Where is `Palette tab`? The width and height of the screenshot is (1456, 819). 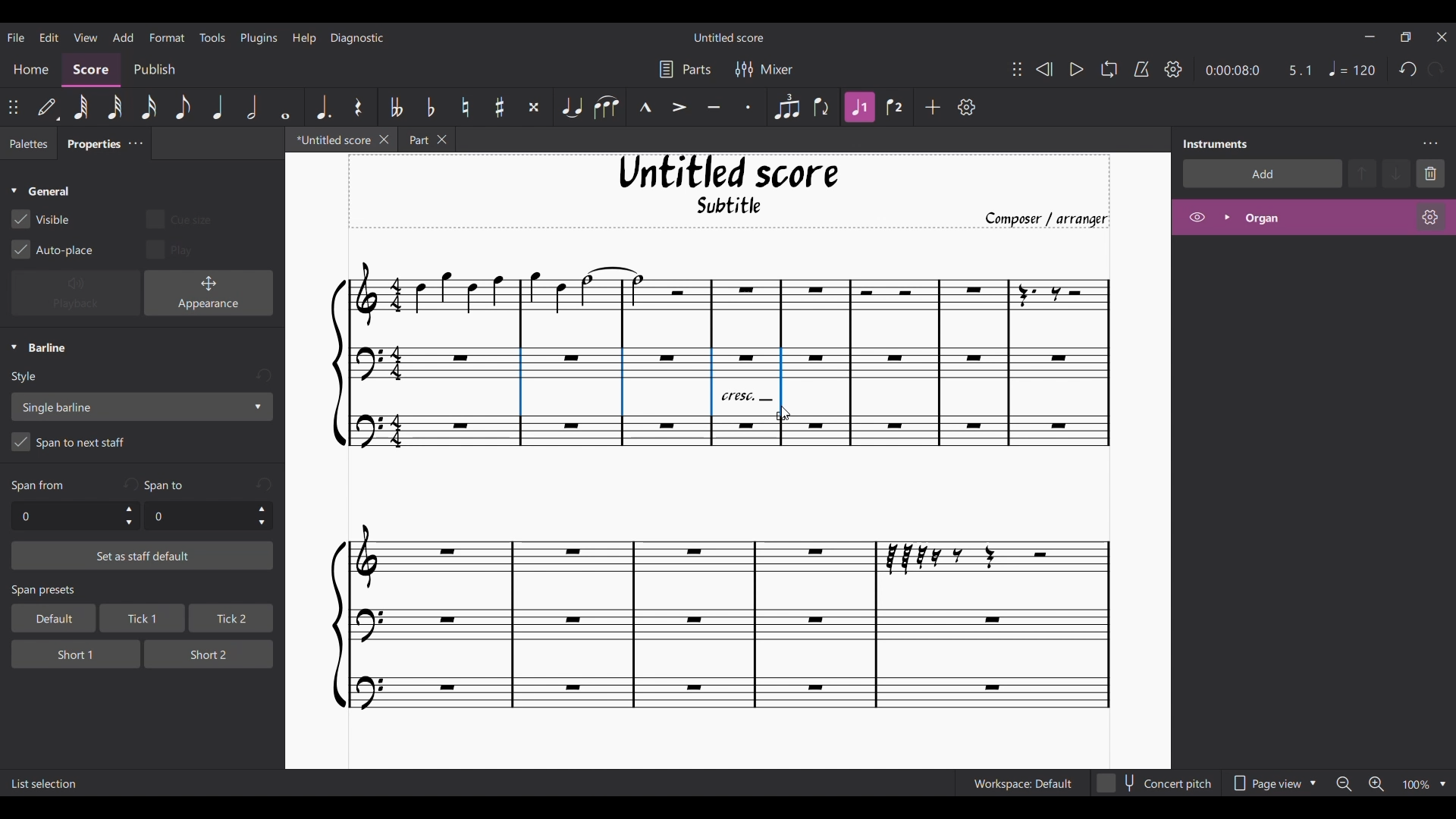
Palette tab is located at coordinates (27, 144).